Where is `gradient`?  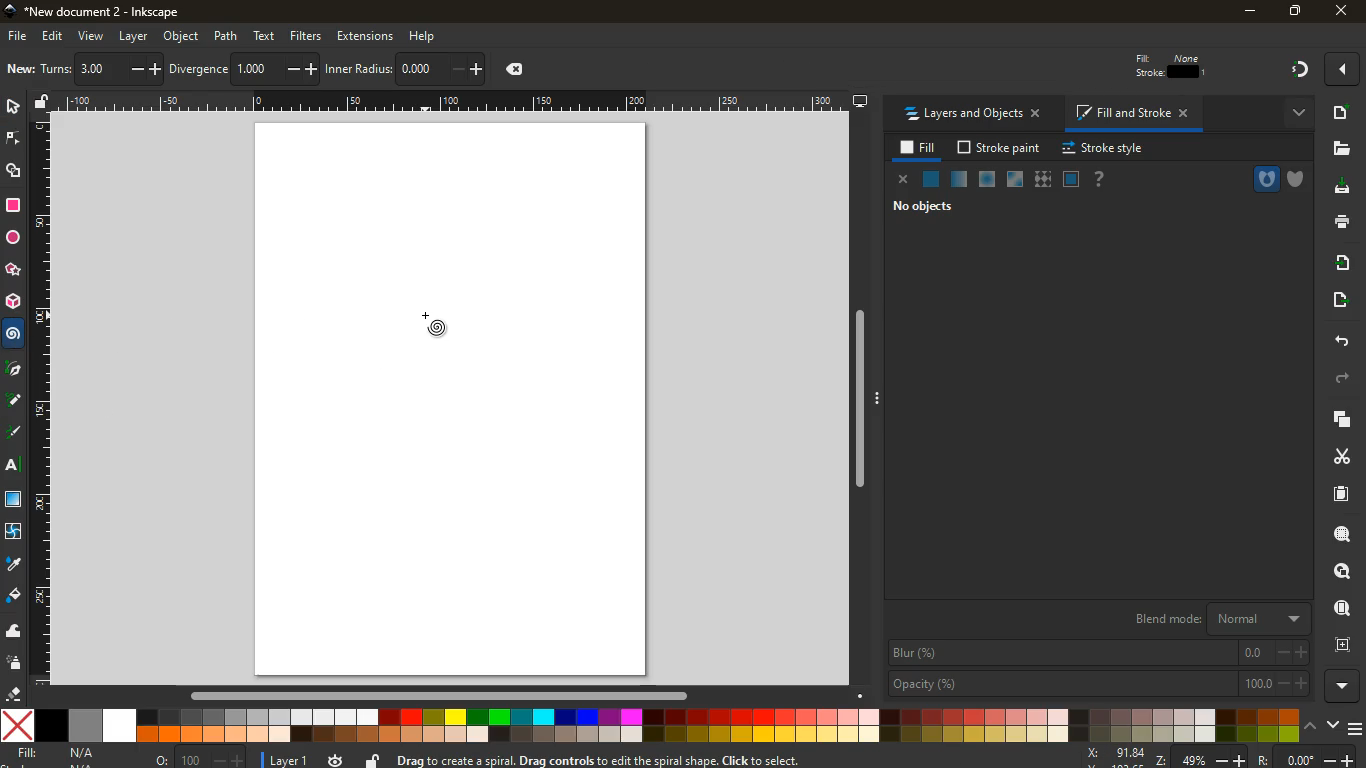 gradient is located at coordinates (1302, 70).